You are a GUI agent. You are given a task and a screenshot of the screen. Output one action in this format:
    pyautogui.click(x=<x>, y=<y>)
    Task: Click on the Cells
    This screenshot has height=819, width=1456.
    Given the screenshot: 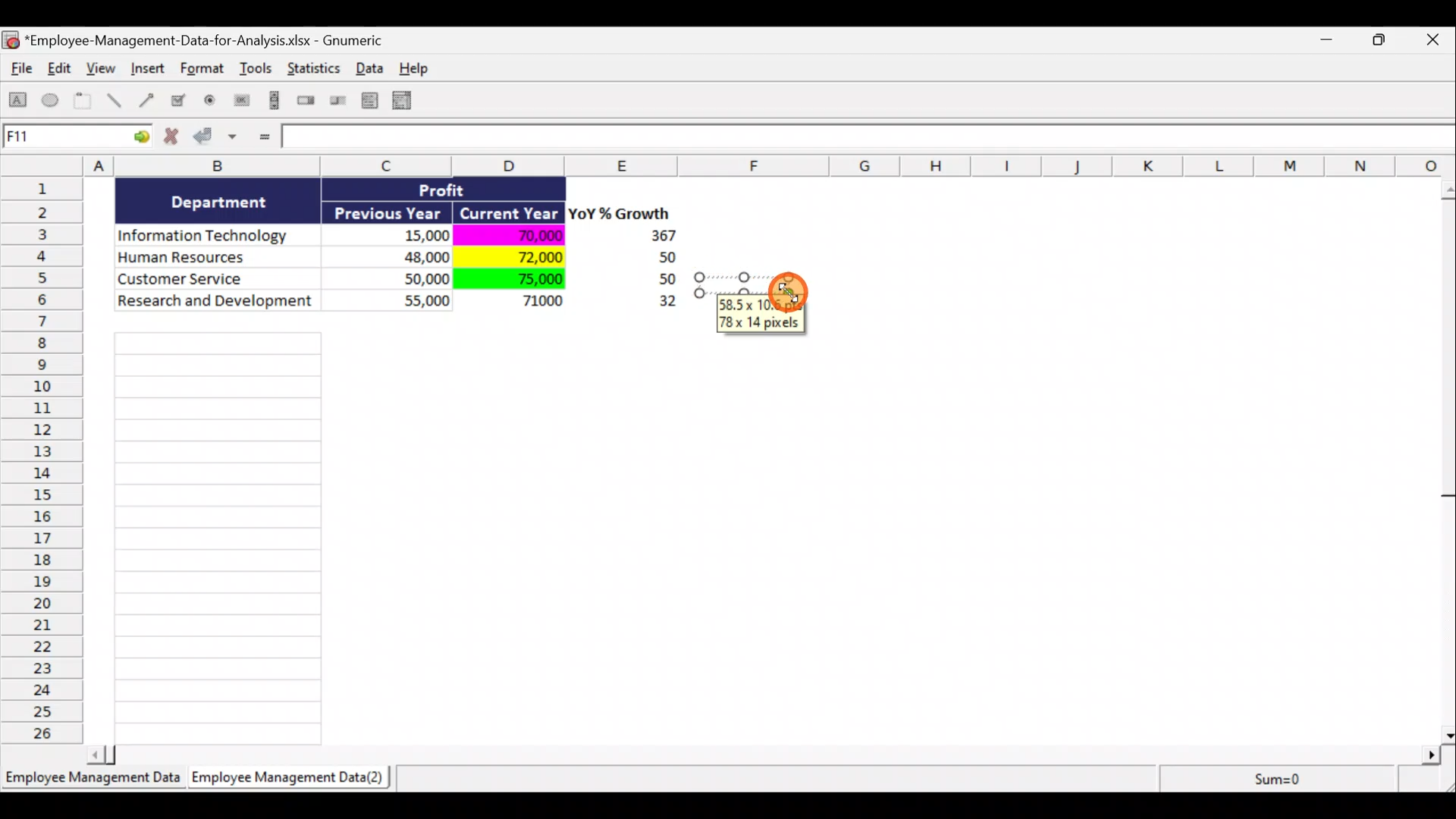 What is the action you would take?
    pyautogui.click(x=218, y=534)
    